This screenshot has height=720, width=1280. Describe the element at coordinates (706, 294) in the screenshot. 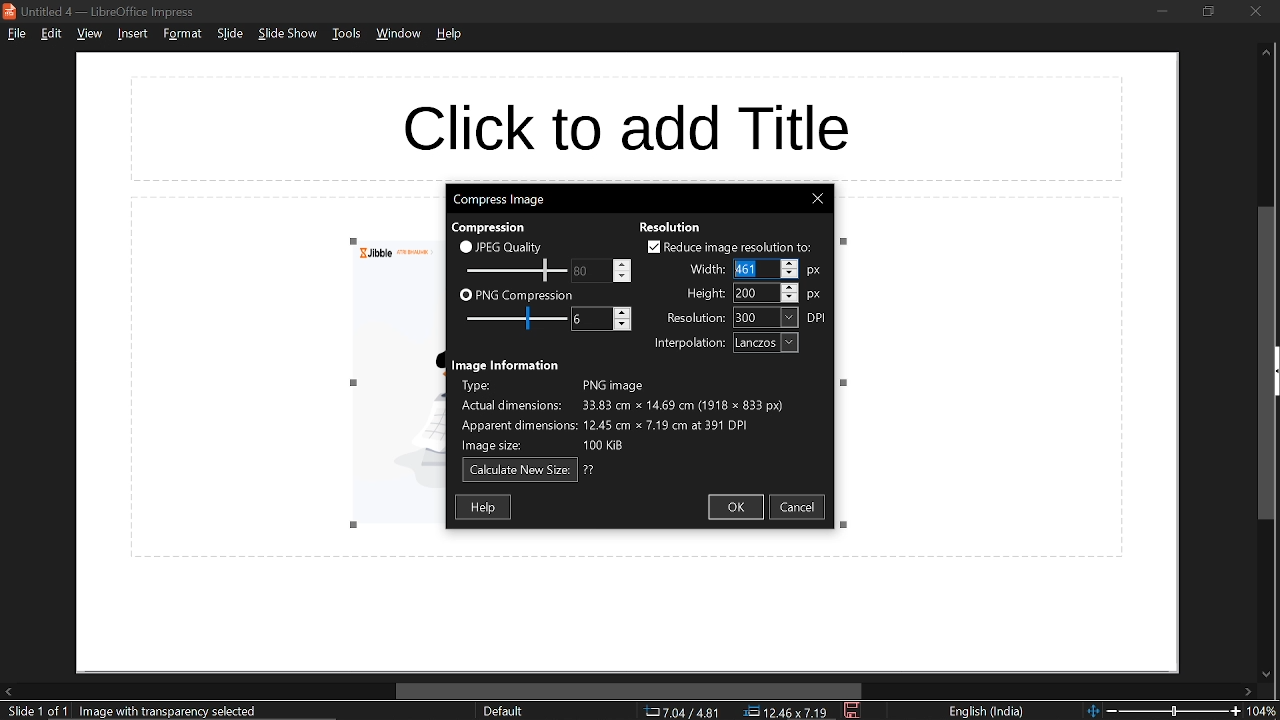

I see `text` at that location.